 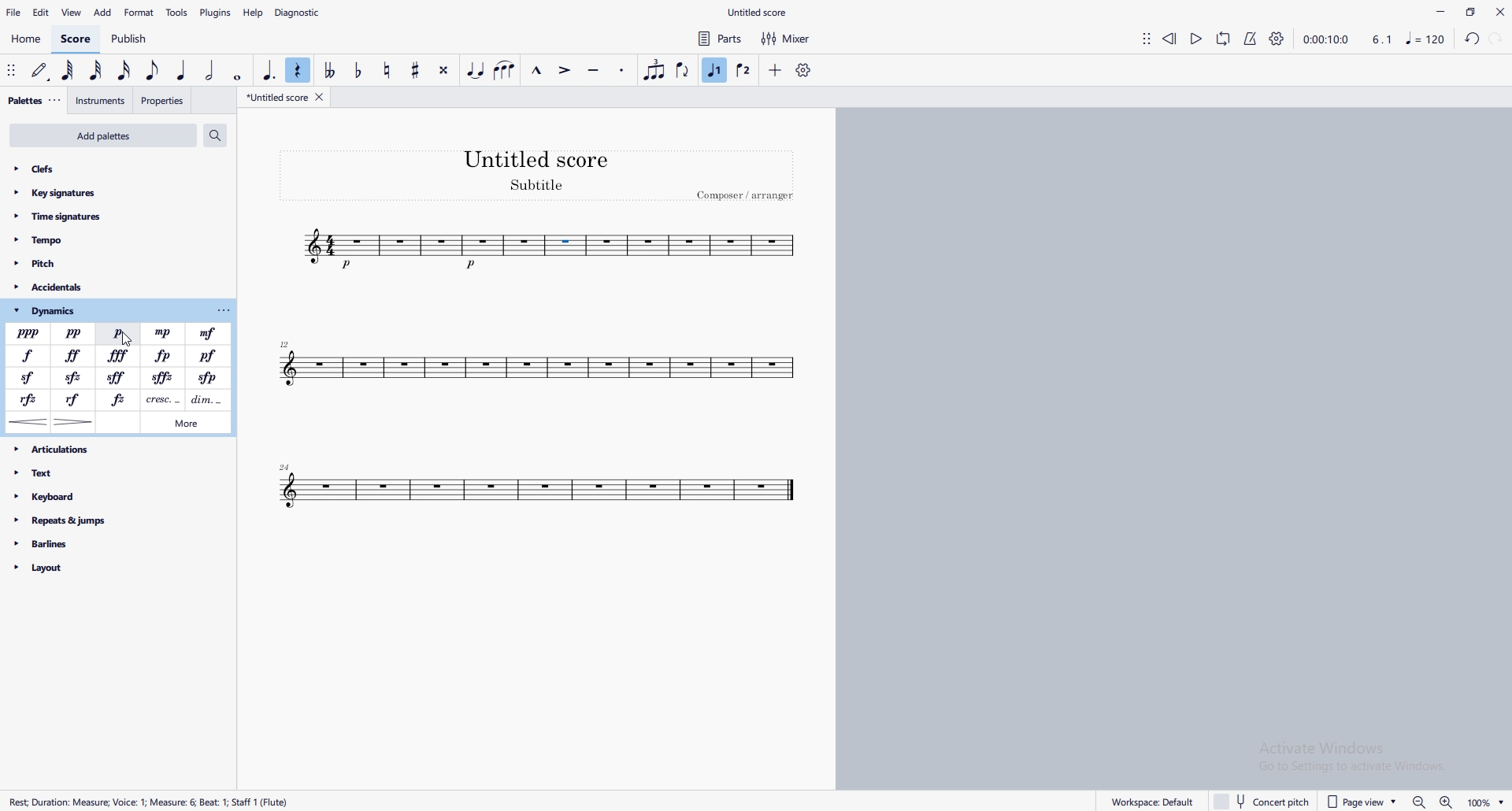 I want to click on adjust, so click(x=13, y=71).